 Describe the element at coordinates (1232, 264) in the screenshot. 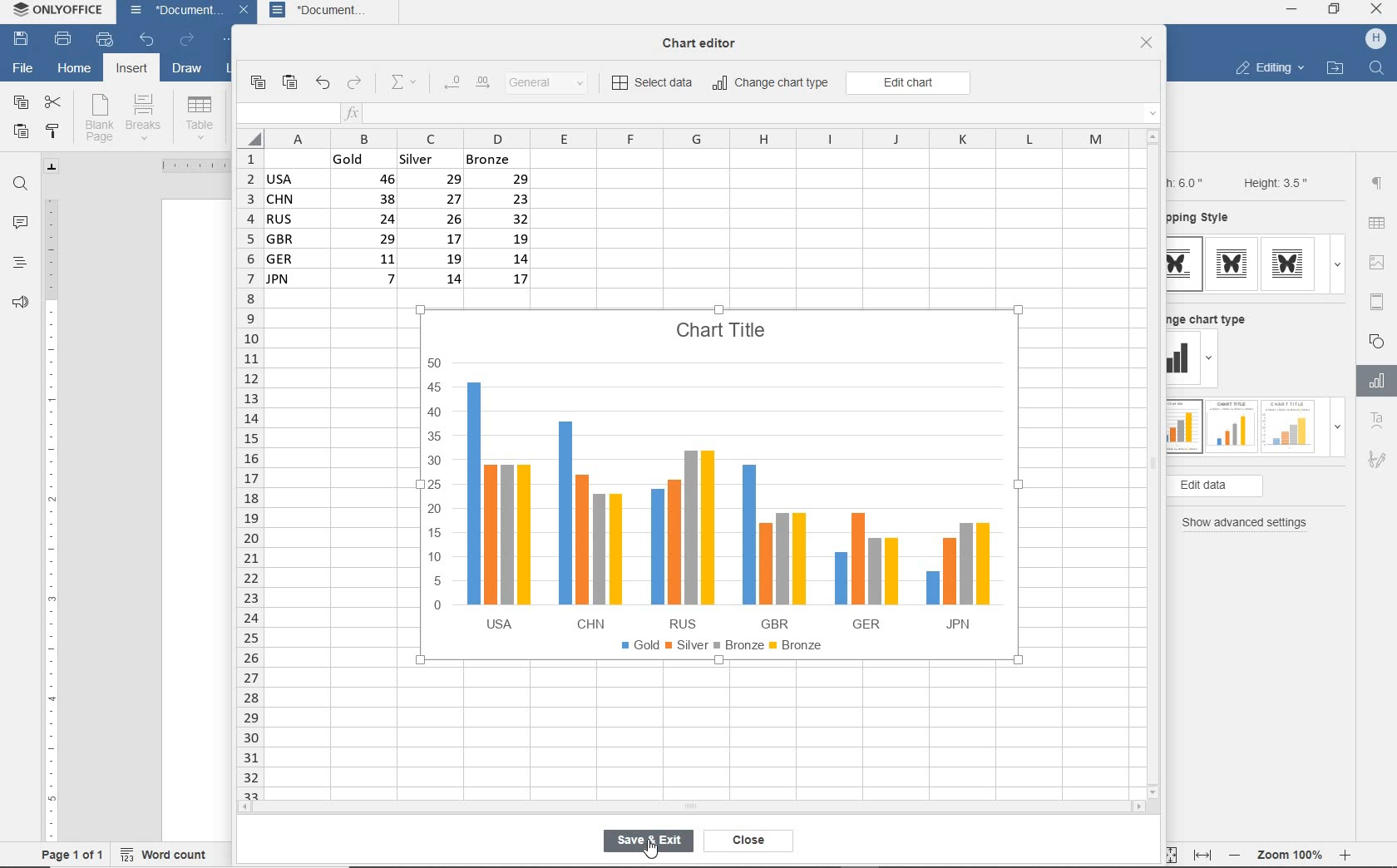

I see `type 2` at that location.